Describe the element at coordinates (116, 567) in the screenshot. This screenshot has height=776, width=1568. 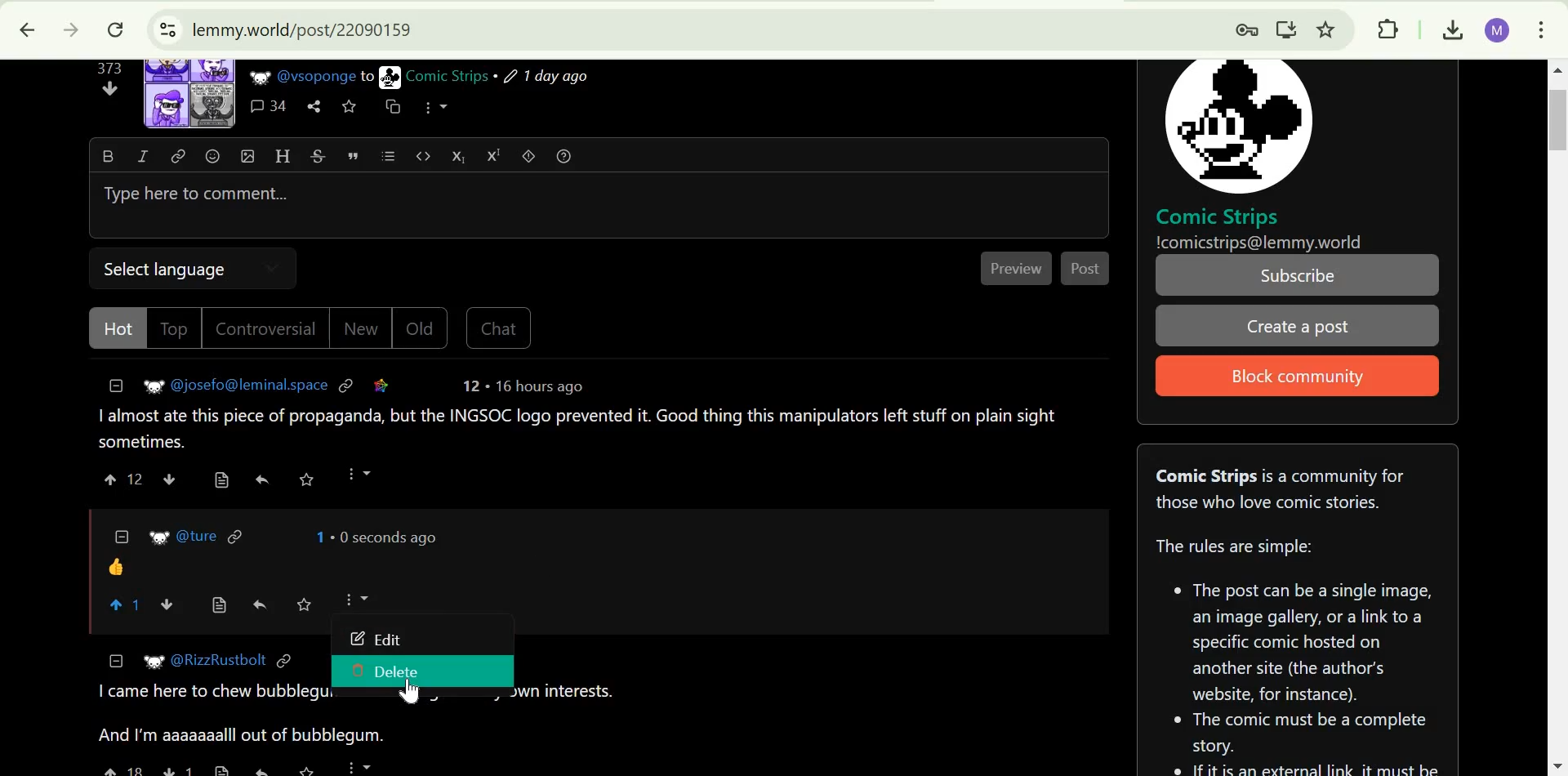
I see `comment` at that location.